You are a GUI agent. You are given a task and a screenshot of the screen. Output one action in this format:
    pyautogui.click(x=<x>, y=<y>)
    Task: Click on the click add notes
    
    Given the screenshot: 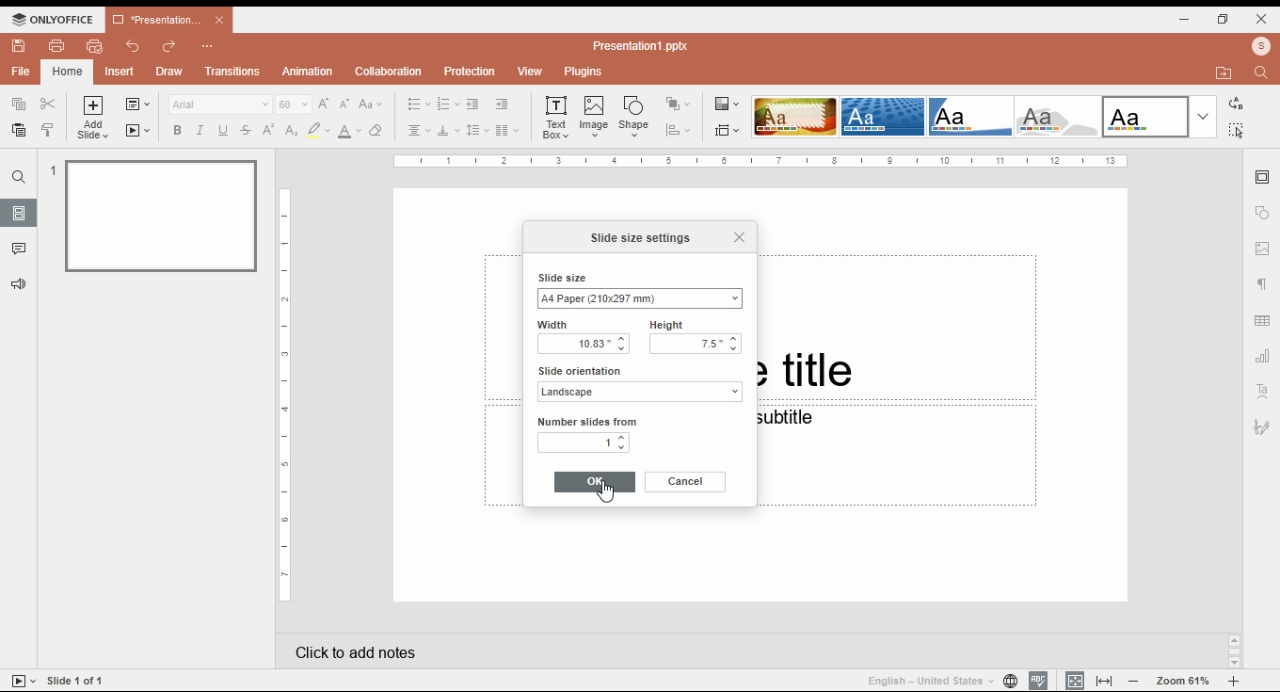 What is the action you would take?
    pyautogui.click(x=352, y=648)
    